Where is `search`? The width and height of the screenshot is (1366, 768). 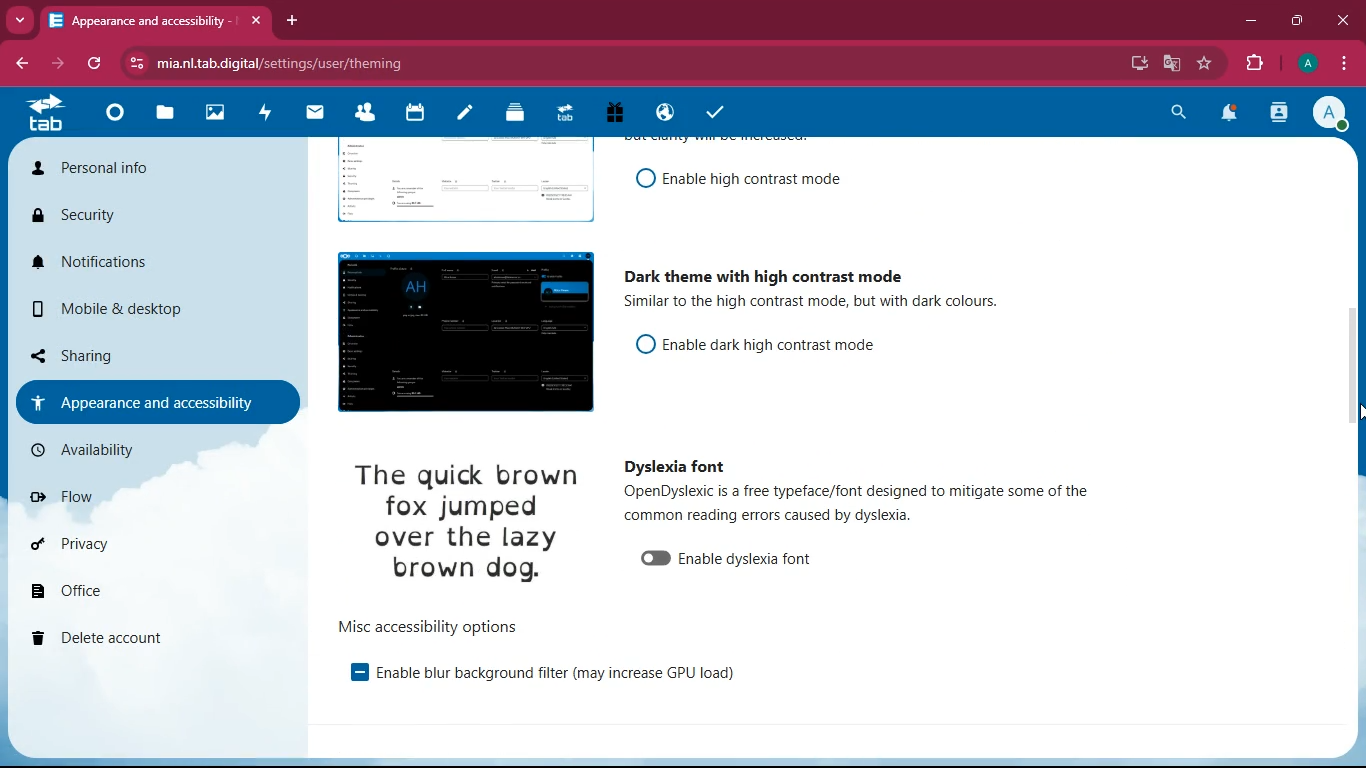 search is located at coordinates (1173, 114).